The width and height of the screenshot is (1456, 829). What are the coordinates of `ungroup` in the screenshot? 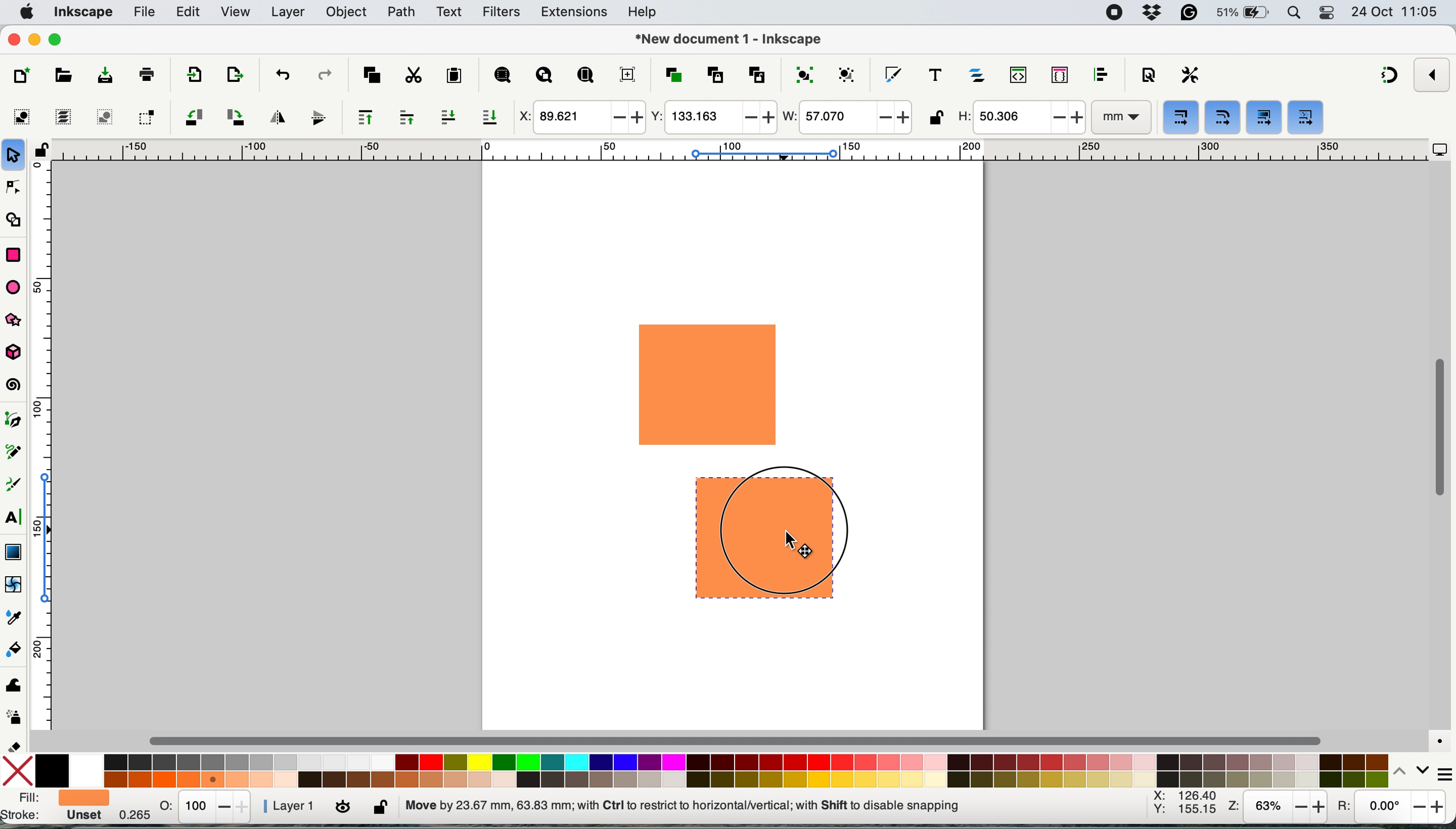 It's located at (848, 73).